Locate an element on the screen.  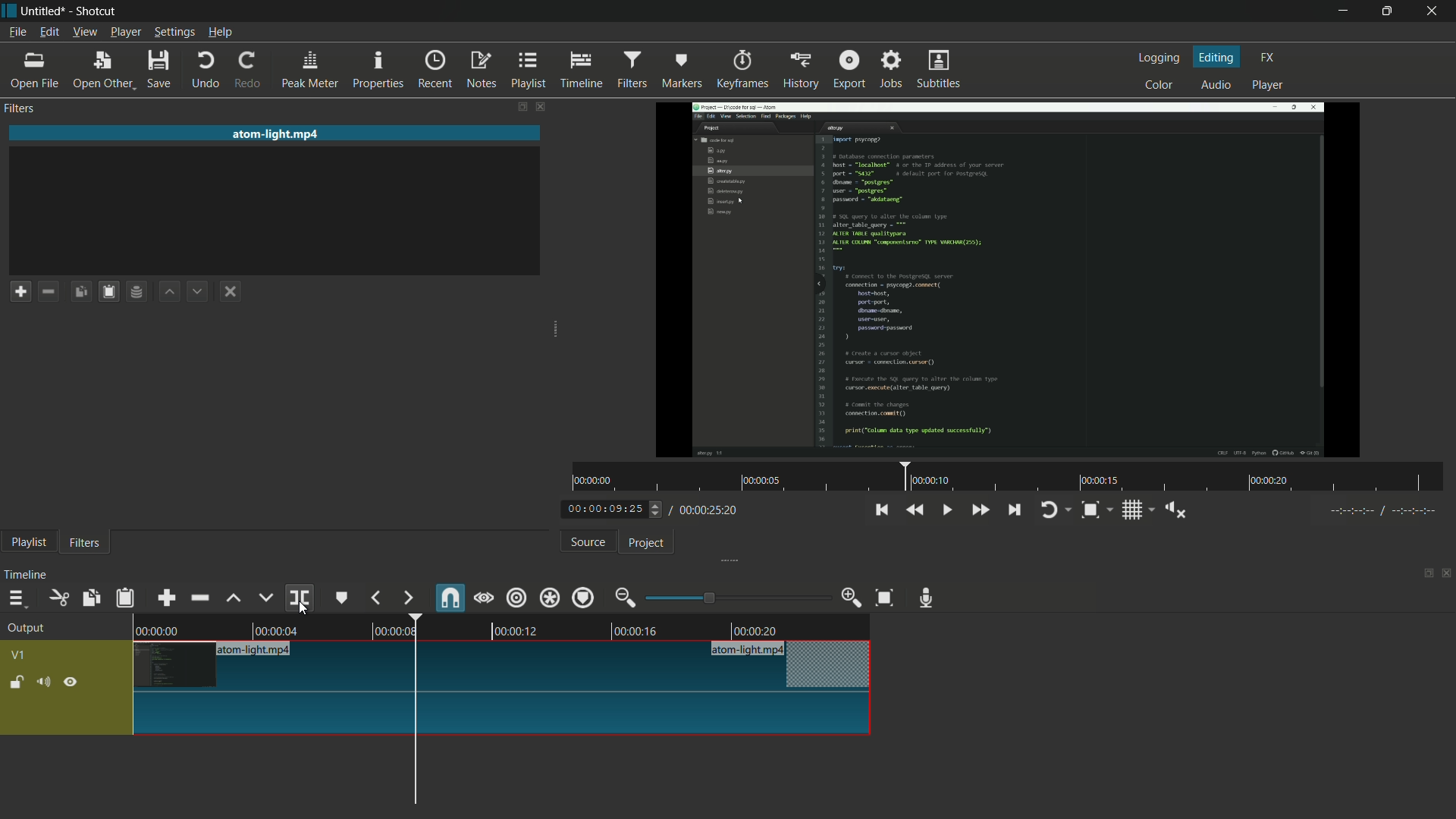
show volume control is located at coordinates (1175, 509).